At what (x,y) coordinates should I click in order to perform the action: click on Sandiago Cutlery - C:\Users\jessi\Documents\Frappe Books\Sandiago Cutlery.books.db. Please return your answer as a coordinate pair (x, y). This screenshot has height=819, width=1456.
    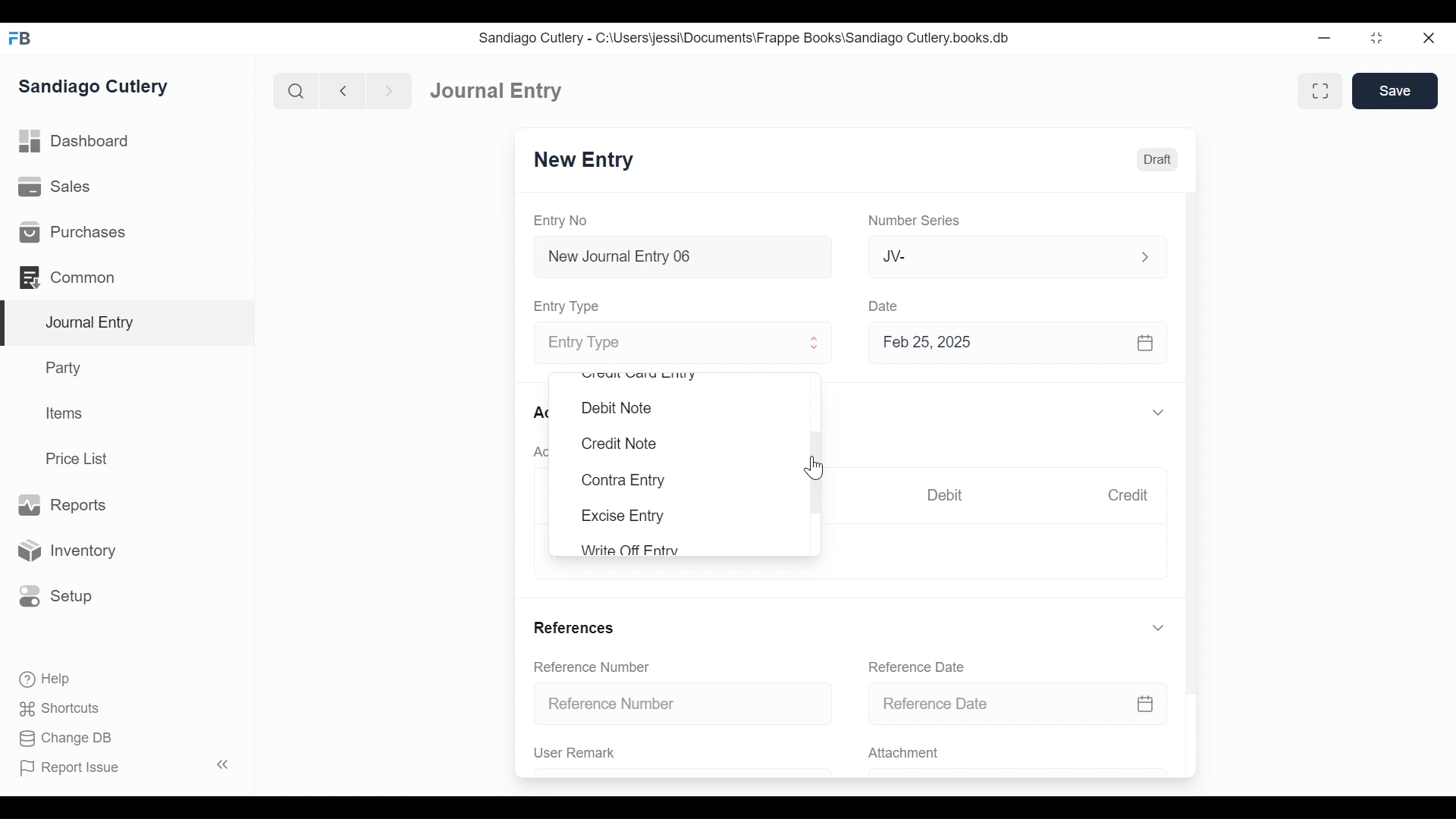
    Looking at the image, I should click on (745, 38).